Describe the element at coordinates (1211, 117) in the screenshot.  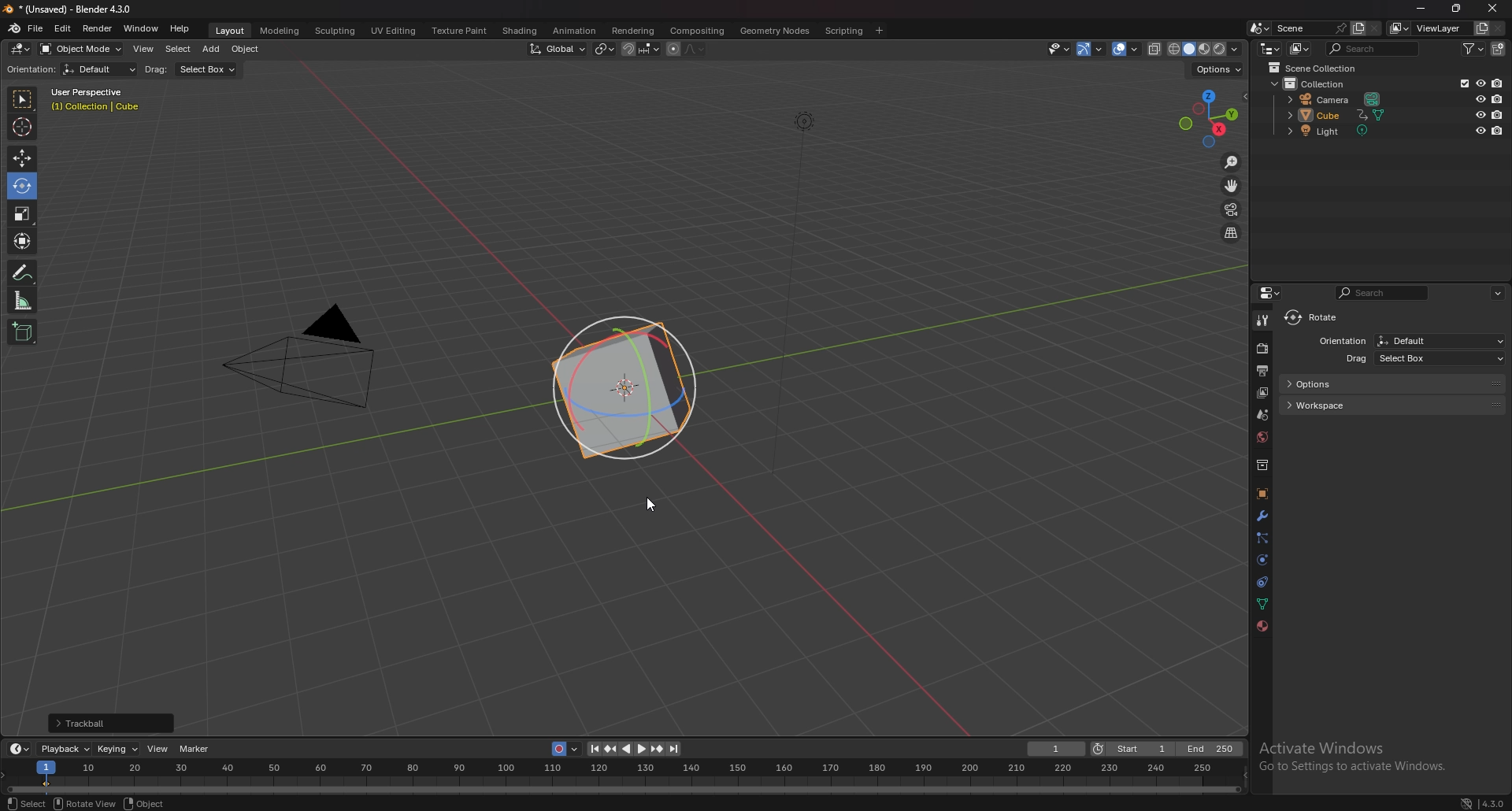
I see `preset viewpoint` at that location.